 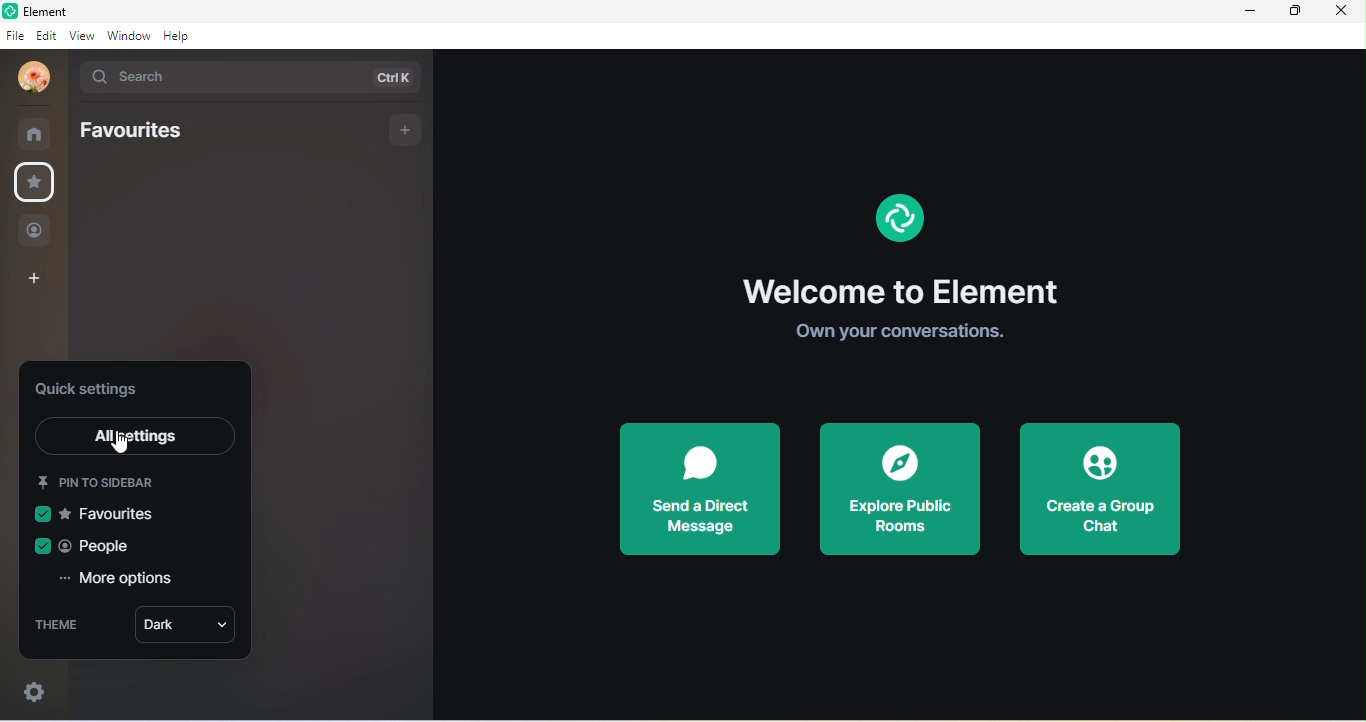 What do you see at coordinates (1343, 12) in the screenshot?
I see `close` at bounding box center [1343, 12].